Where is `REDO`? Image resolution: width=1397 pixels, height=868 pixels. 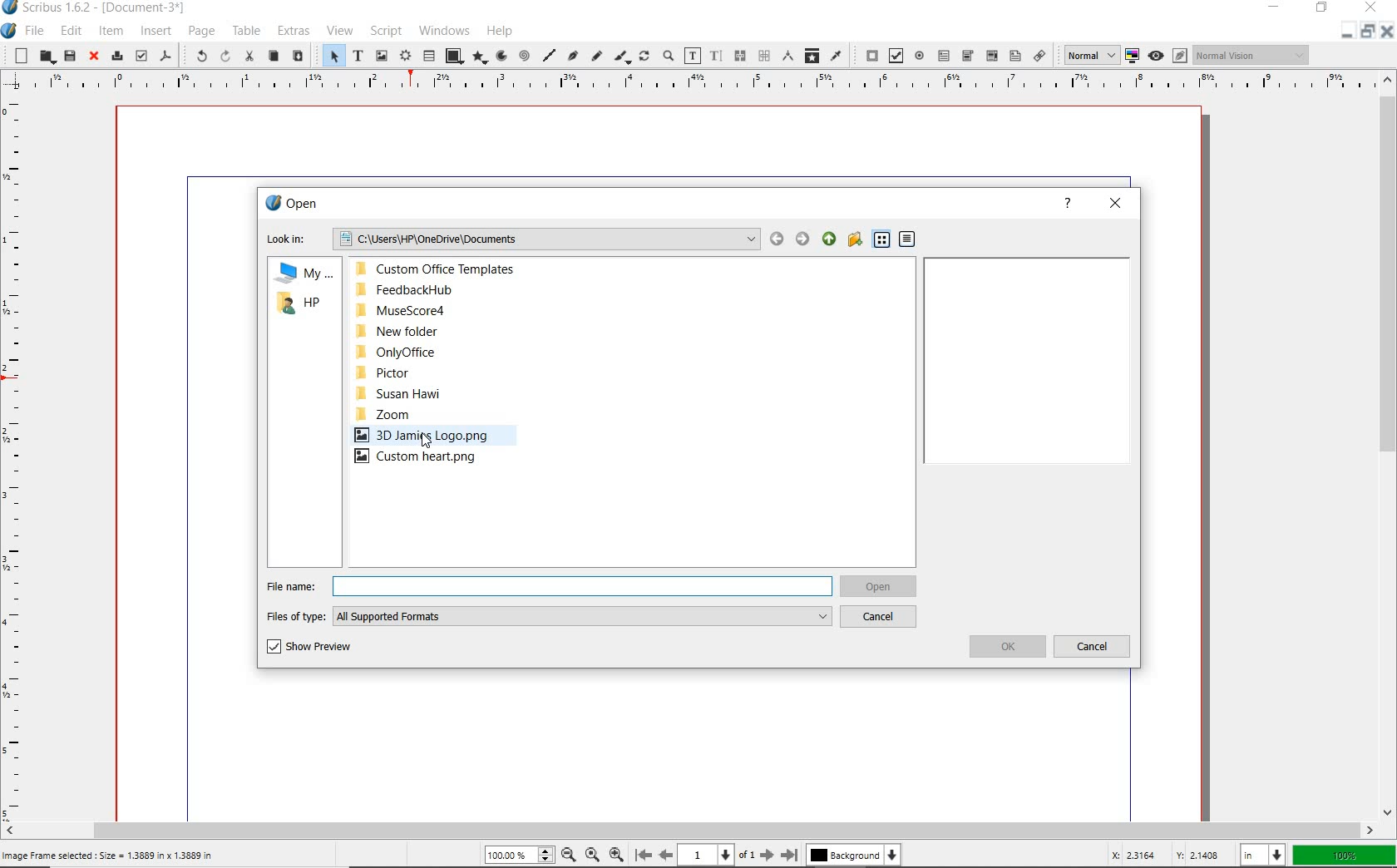 REDO is located at coordinates (224, 58).